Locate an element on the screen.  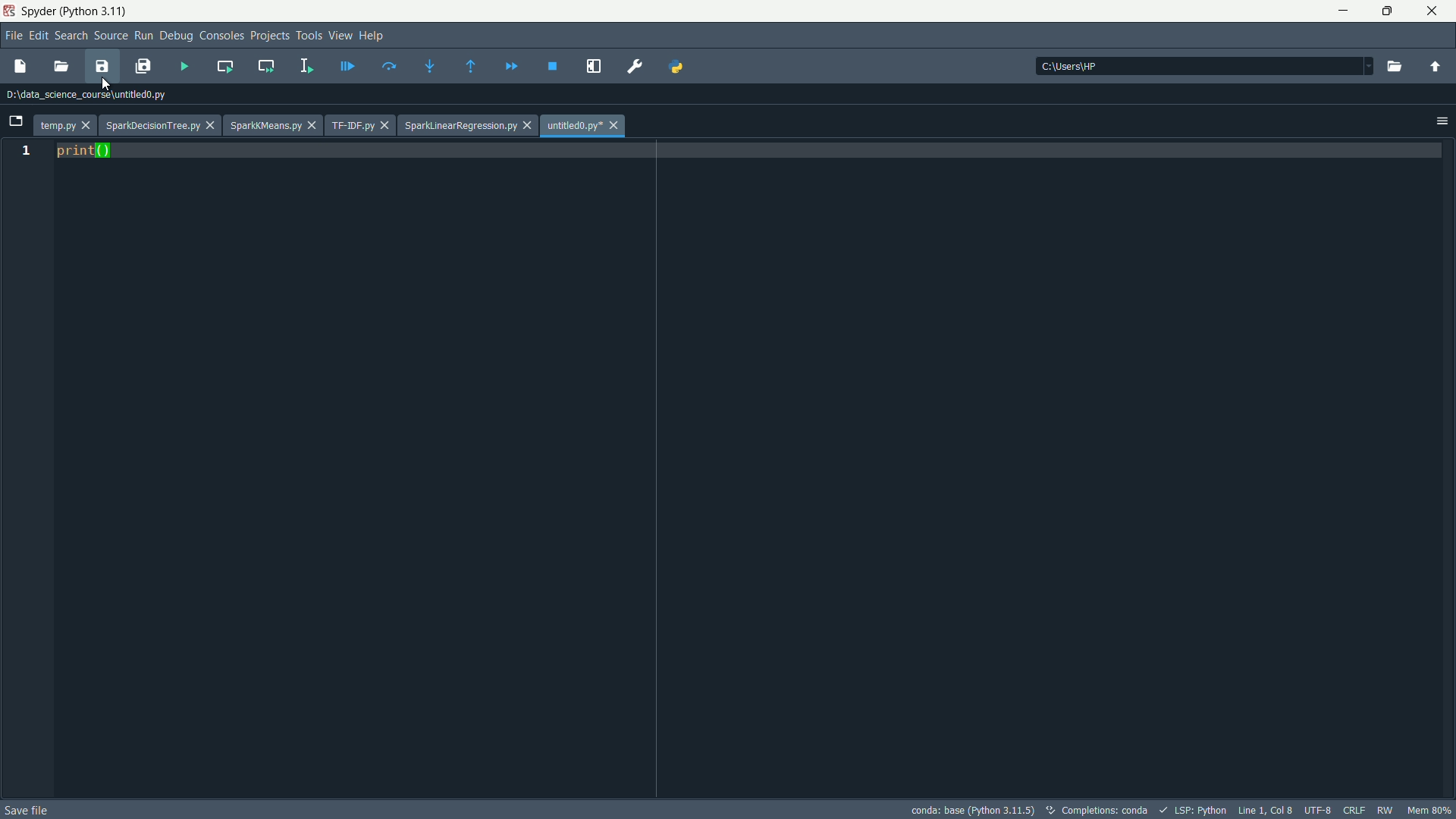
(  TE-DF.py  is located at coordinates (353, 125).